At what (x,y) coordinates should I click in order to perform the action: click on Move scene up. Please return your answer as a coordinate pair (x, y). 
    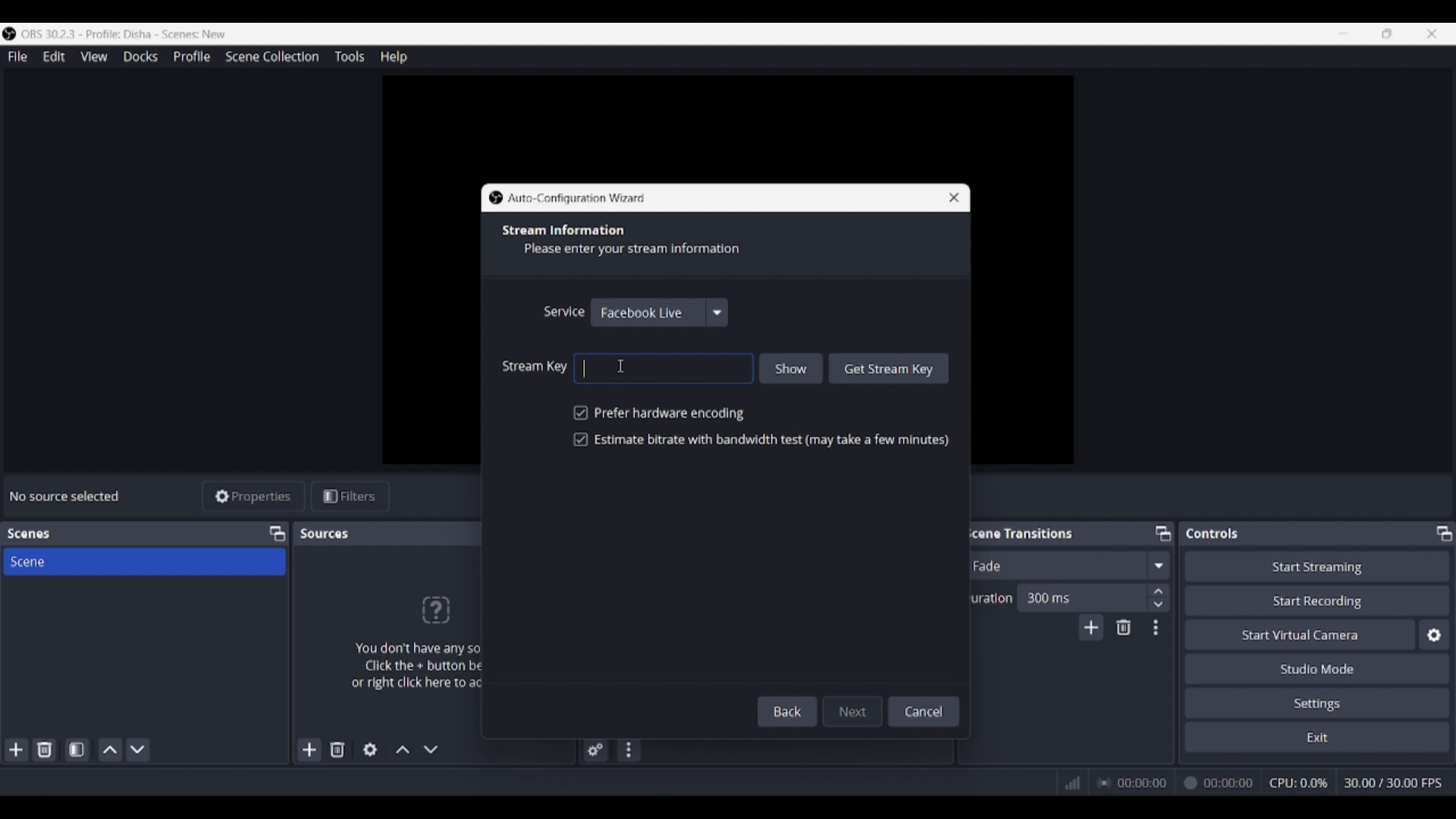
    Looking at the image, I should click on (111, 750).